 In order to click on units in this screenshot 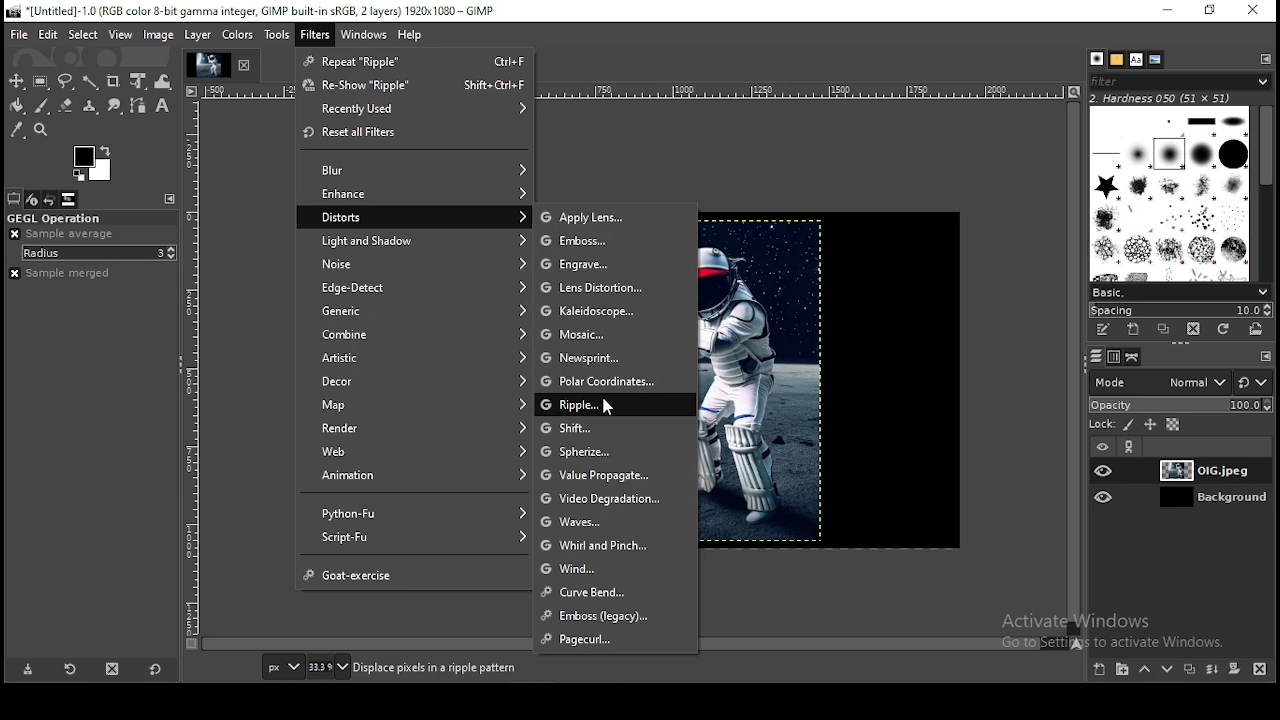, I will do `click(283, 668)`.